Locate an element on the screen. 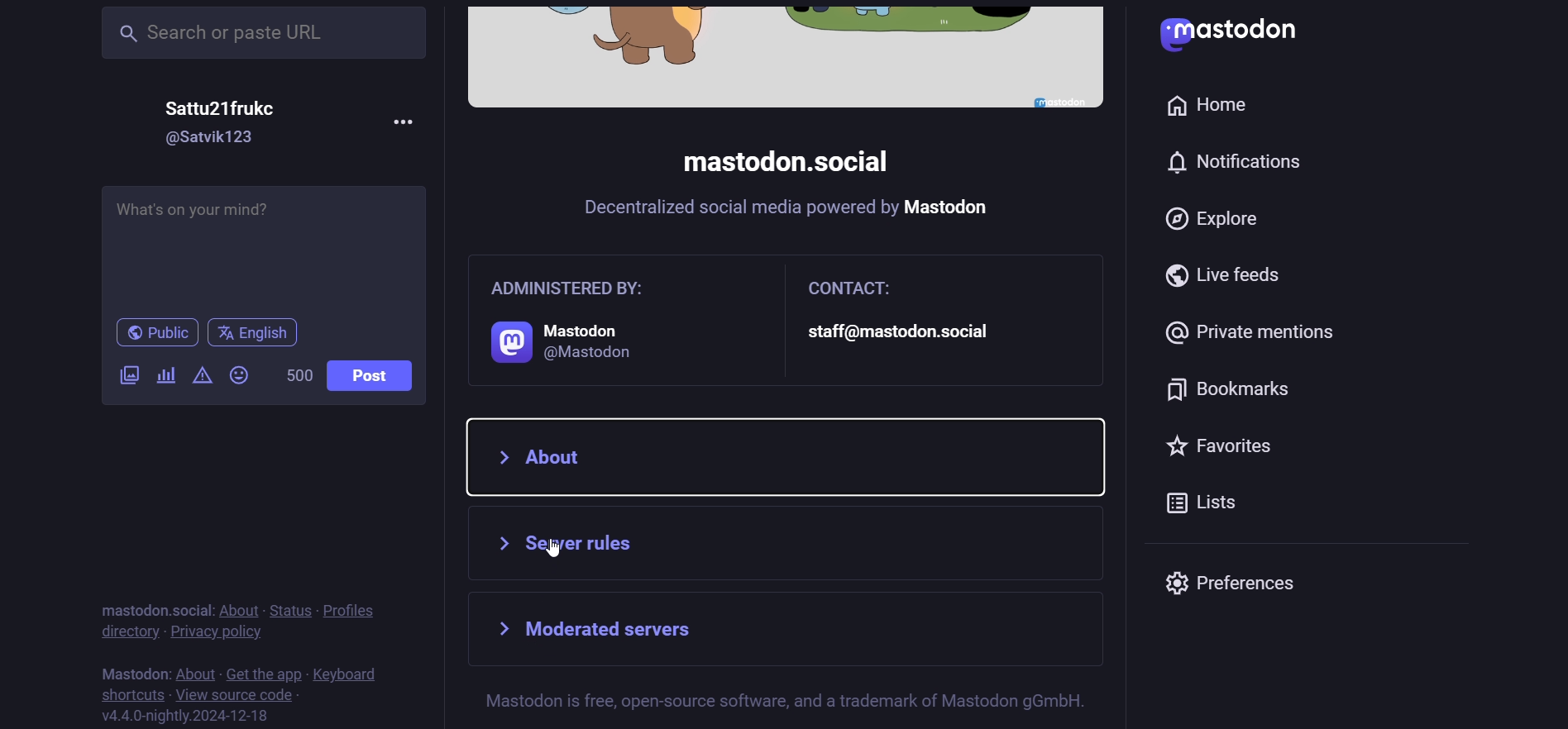 The image size is (1568, 729). content warning is located at coordinates (201, 375).